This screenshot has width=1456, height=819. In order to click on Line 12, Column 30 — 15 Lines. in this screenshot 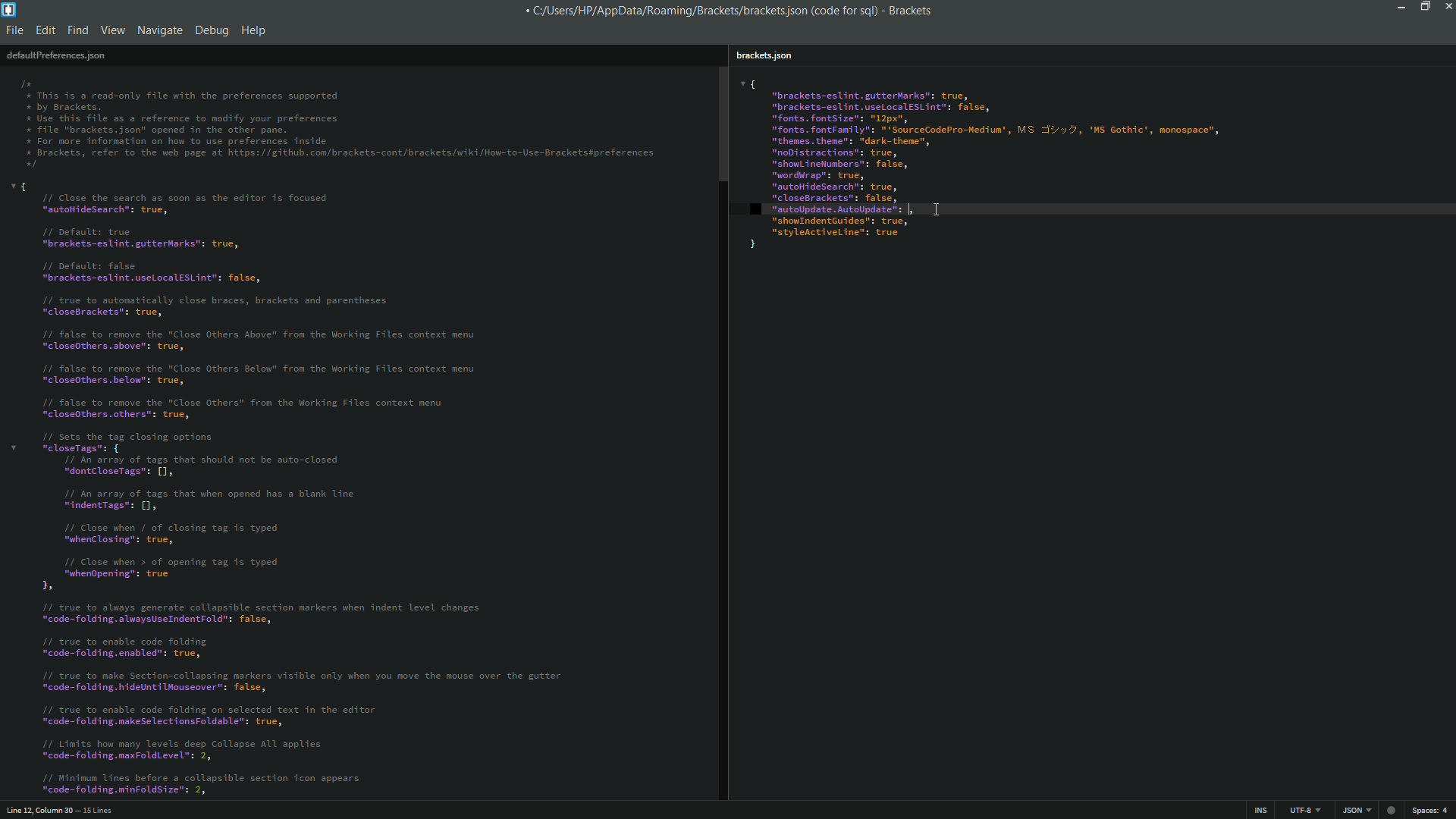, I will do `click(58, 808)`.